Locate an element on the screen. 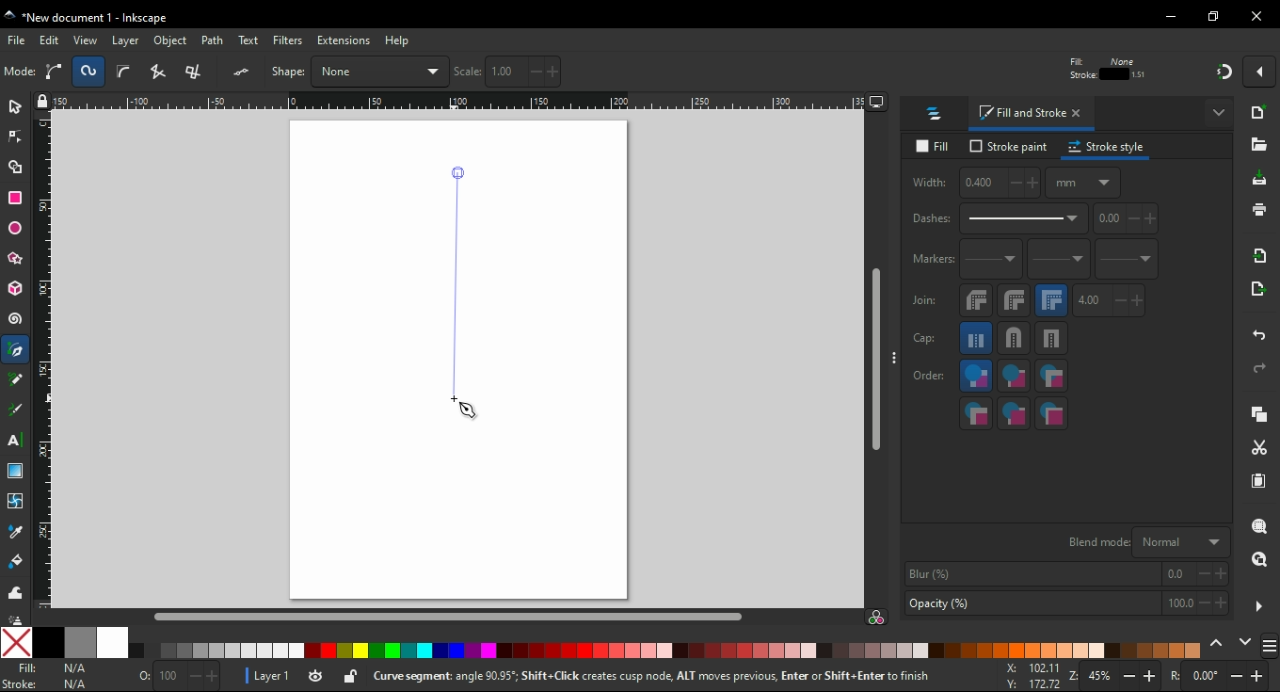 The height and width of the screenshot is (692, 1280). filters is located at coordinates (289, 42).